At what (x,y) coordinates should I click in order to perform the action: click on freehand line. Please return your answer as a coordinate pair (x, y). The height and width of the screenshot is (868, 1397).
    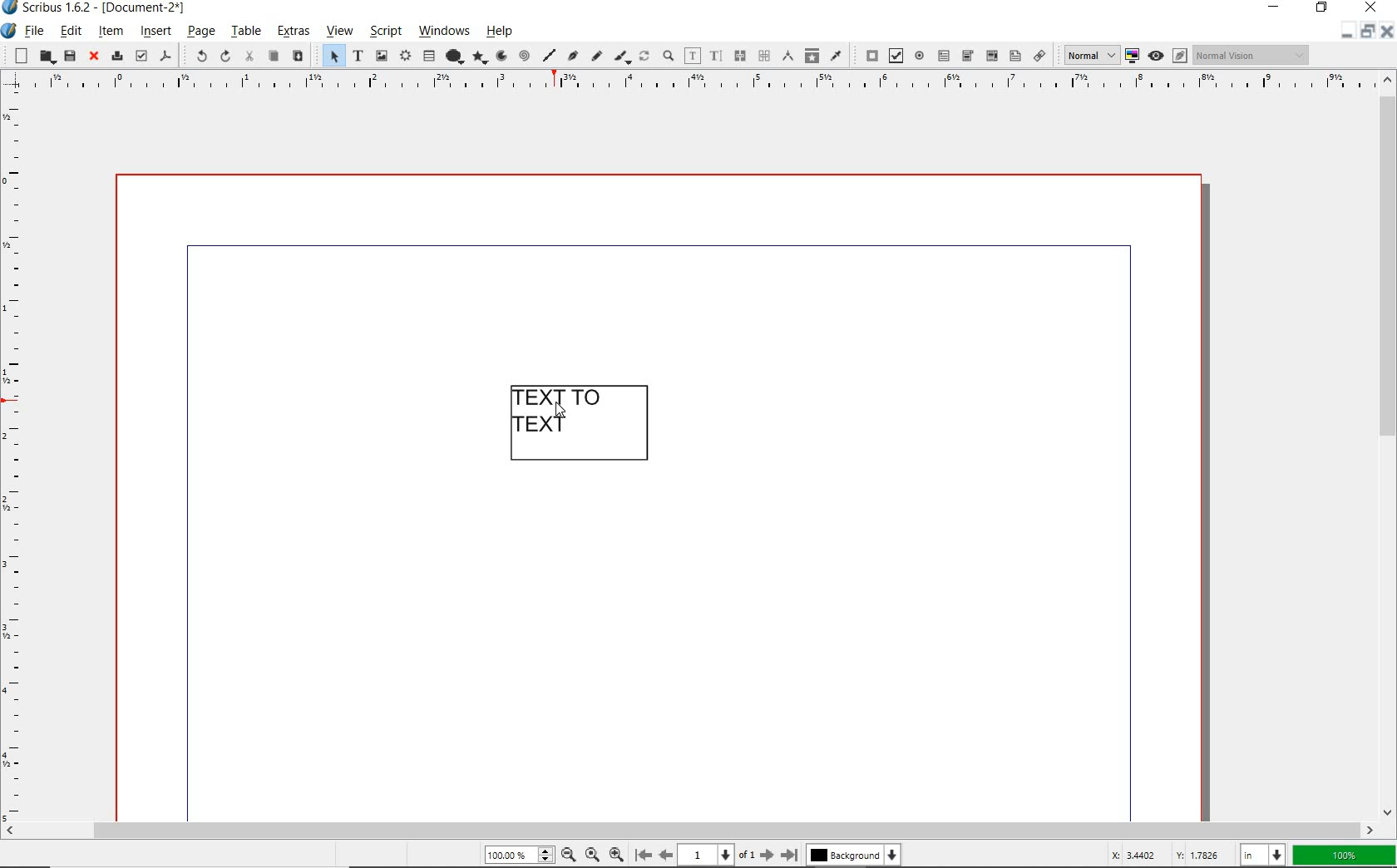
    Looking at the image, I should click on (597, 55).